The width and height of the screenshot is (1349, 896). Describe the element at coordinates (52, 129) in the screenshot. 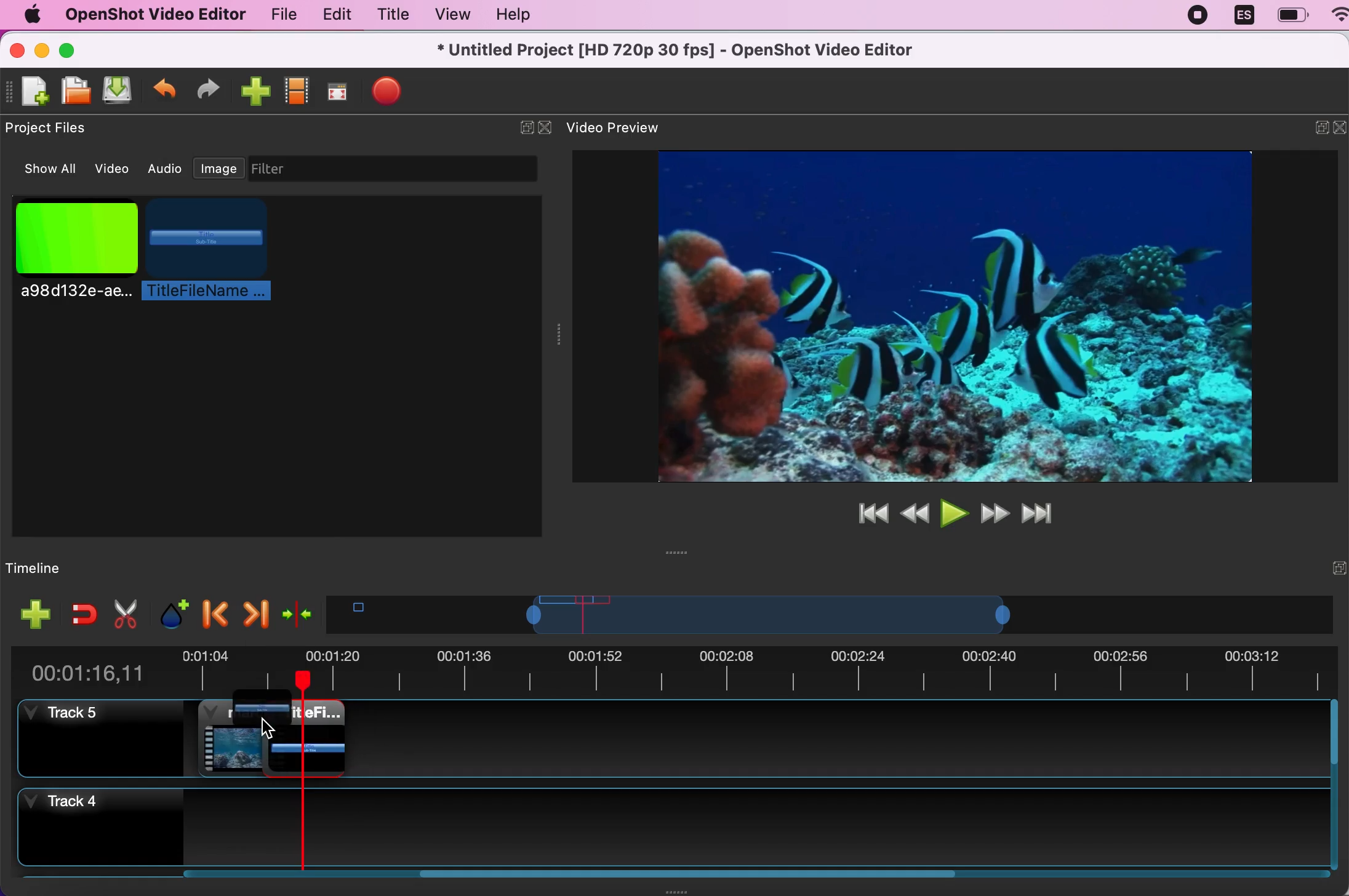

I see `project files` at that location.